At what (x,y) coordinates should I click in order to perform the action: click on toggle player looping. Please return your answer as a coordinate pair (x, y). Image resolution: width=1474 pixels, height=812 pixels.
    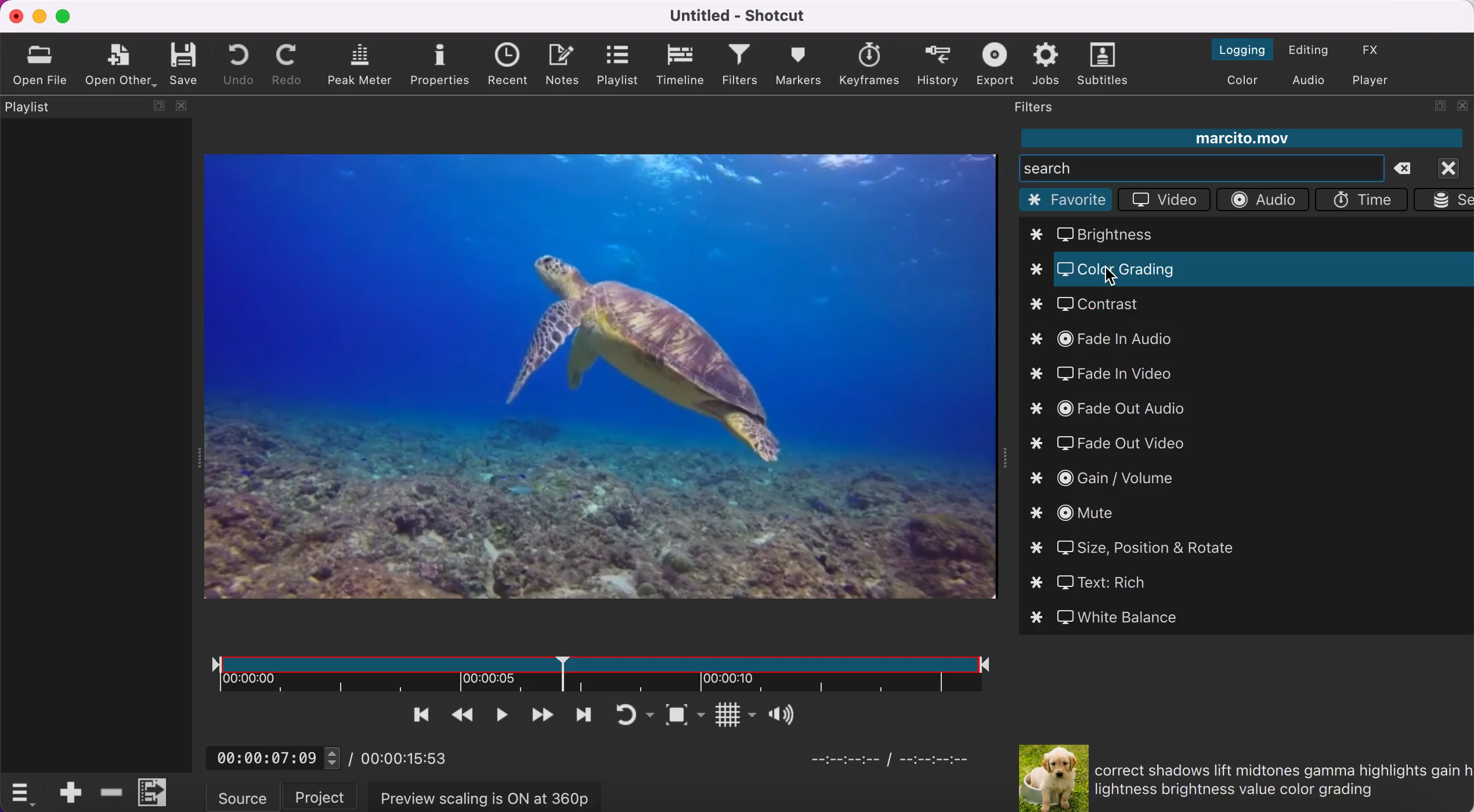
    Looking at the image, I should click on (619, 713).